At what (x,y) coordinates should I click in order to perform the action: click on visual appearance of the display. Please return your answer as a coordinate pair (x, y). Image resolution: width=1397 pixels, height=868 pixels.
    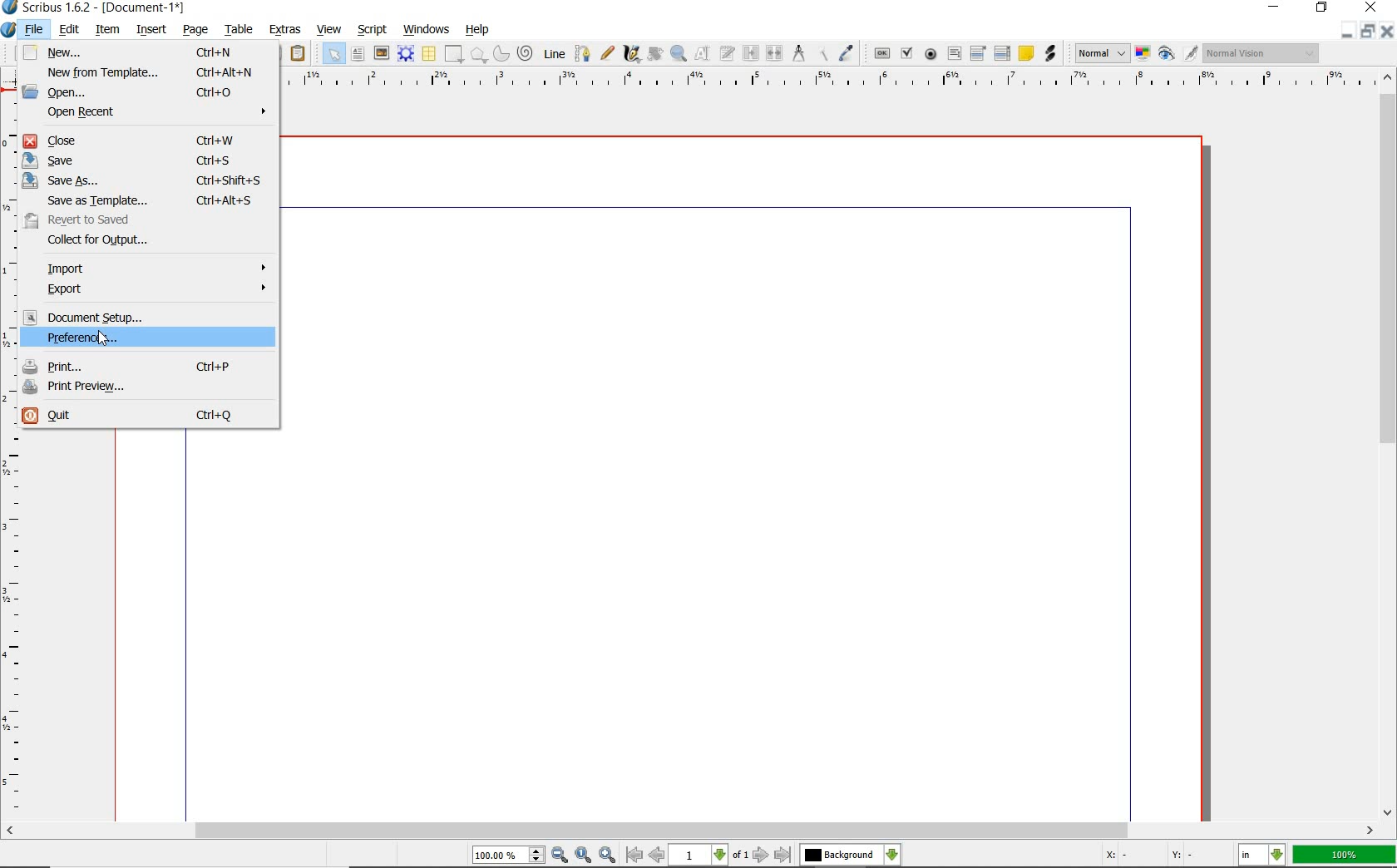
    Looking at the image, I should click on (1261, 55).